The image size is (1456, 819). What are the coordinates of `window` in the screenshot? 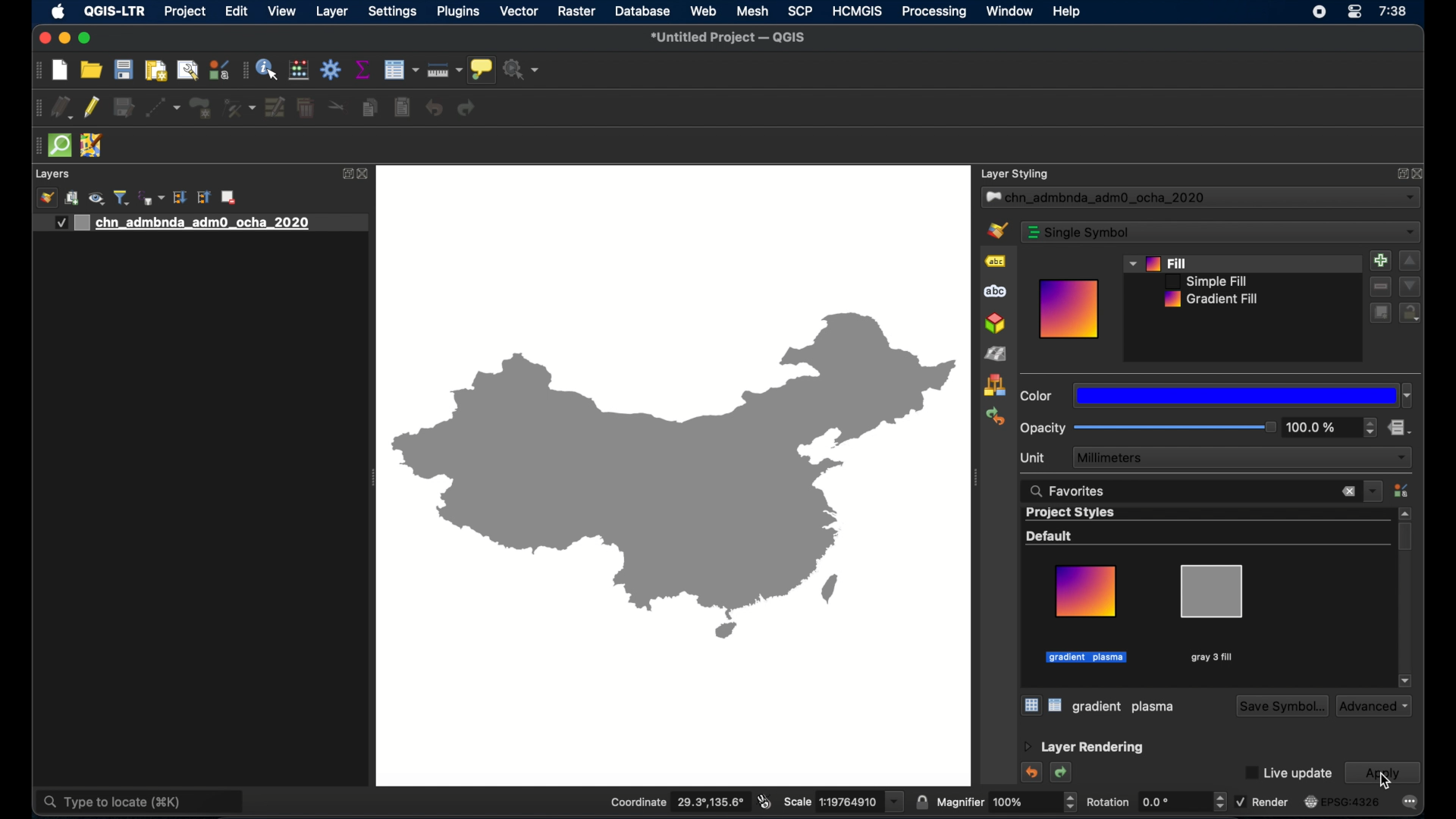 It's located at (1011, 11).